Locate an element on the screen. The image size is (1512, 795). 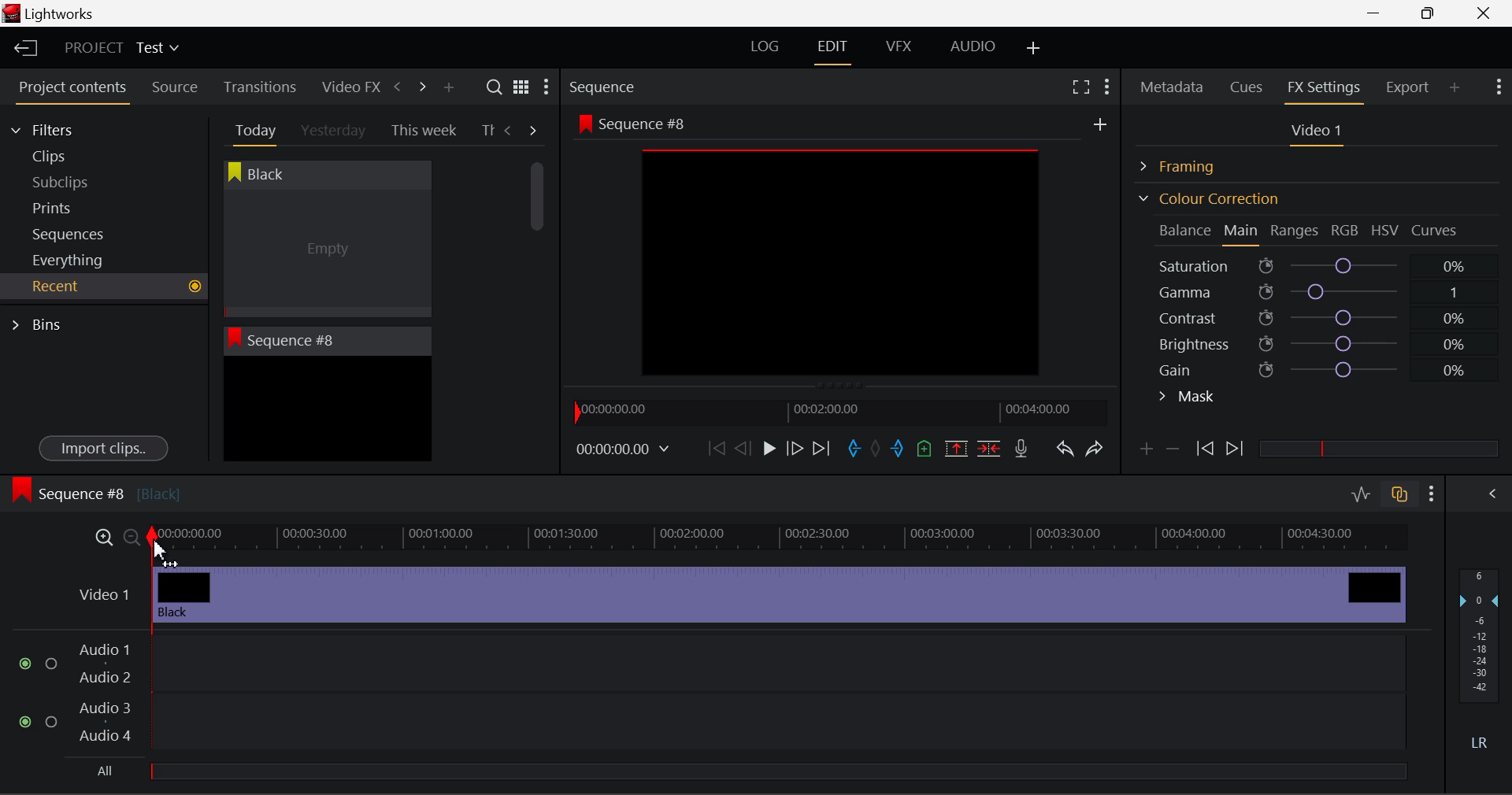
Recrod Voiceover is located at coordinates (1021, 448).